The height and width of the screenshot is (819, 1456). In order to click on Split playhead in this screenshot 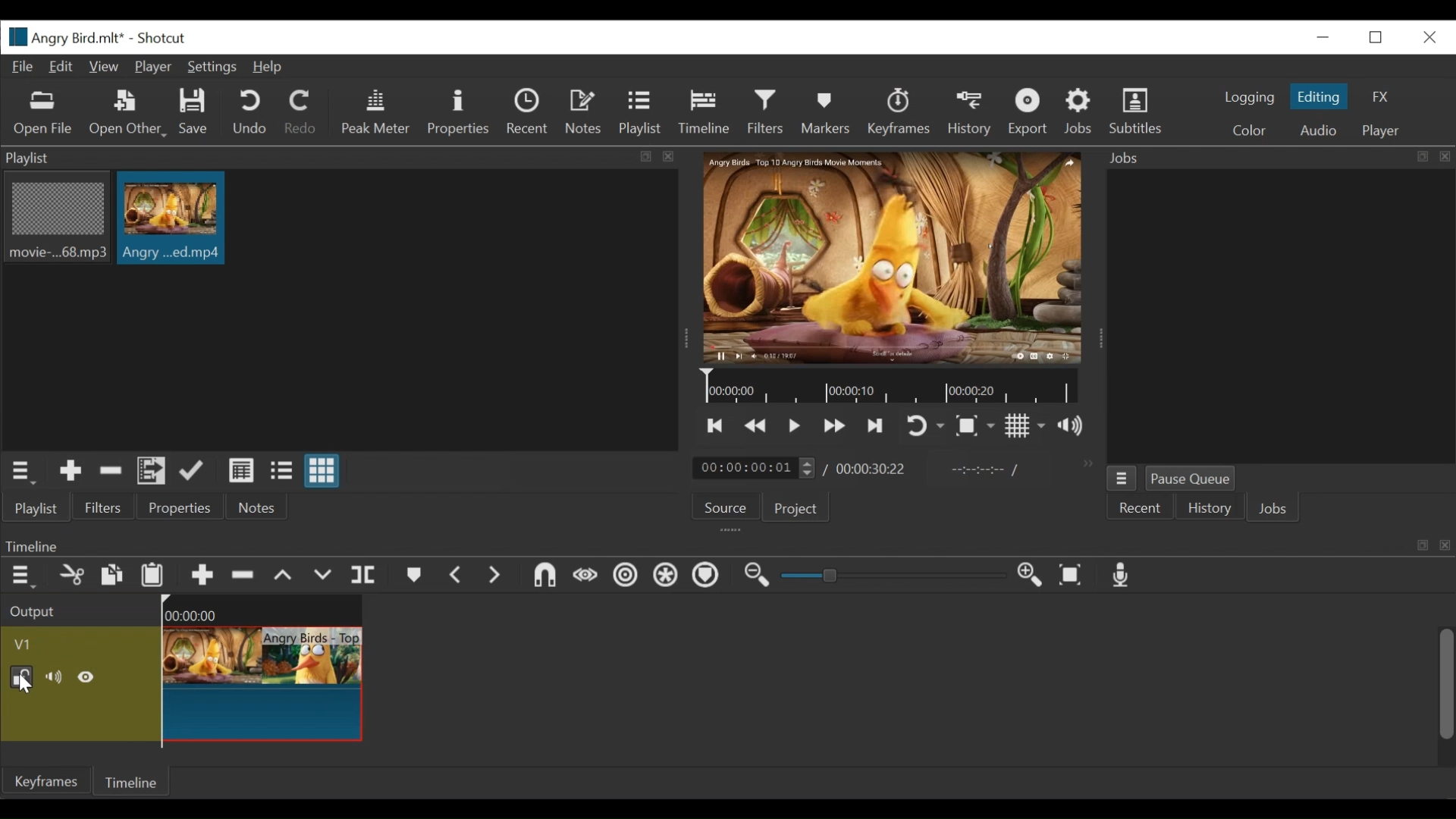, I will do `click(363, 578)`.